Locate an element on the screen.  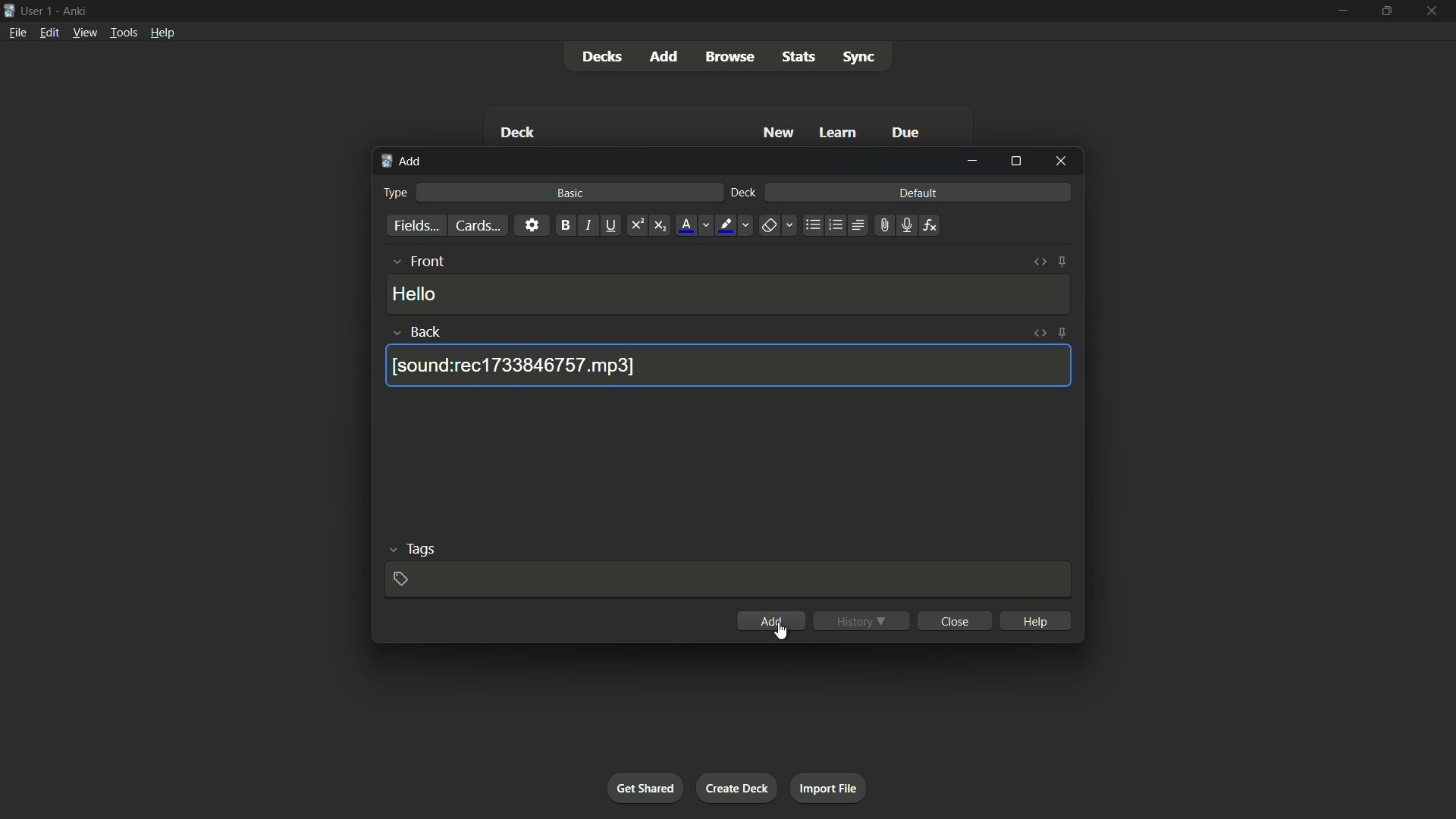
ordered list is located at coordinates (836, 224).